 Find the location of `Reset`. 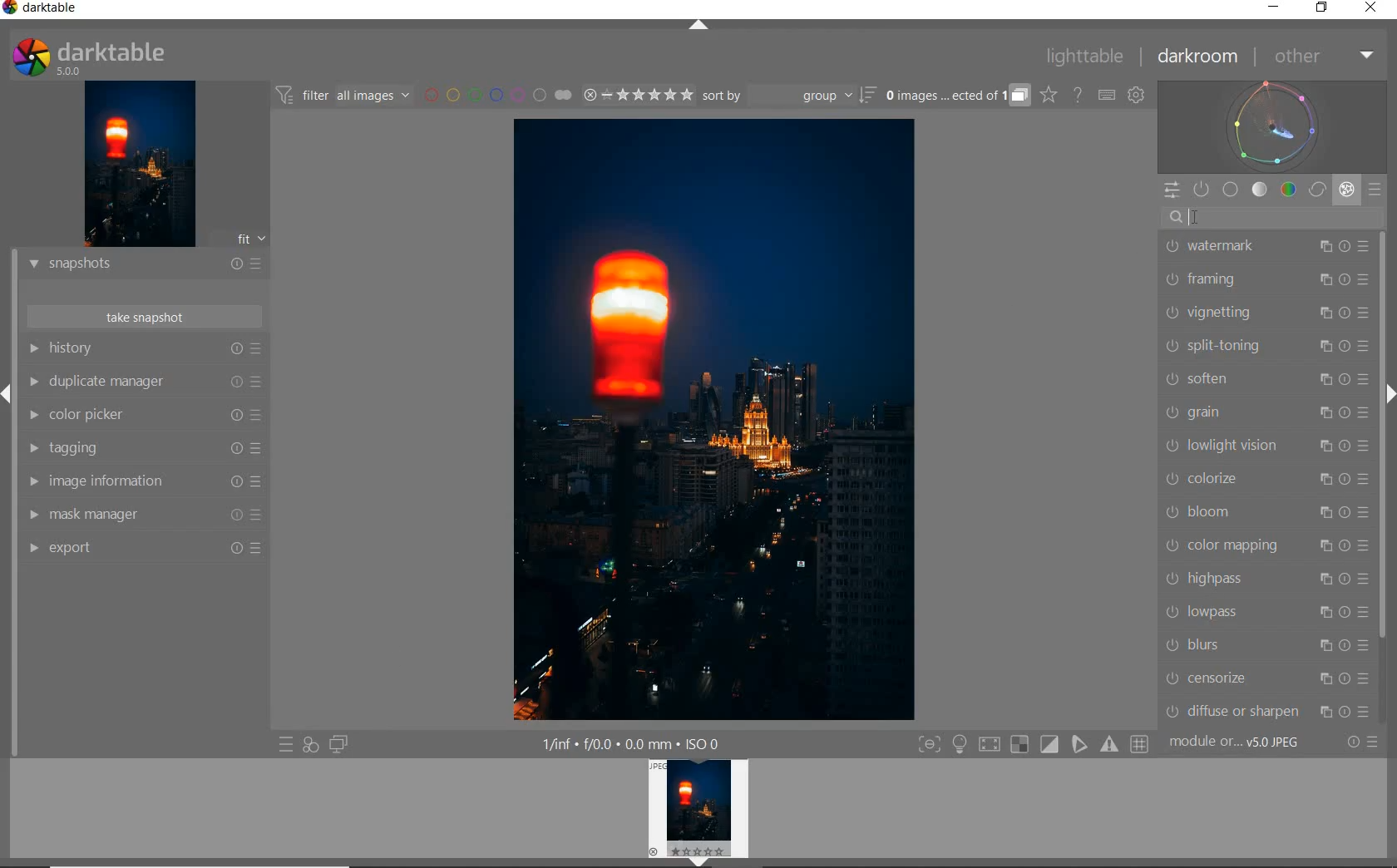

Reset is located at coordinates (1344, 344).